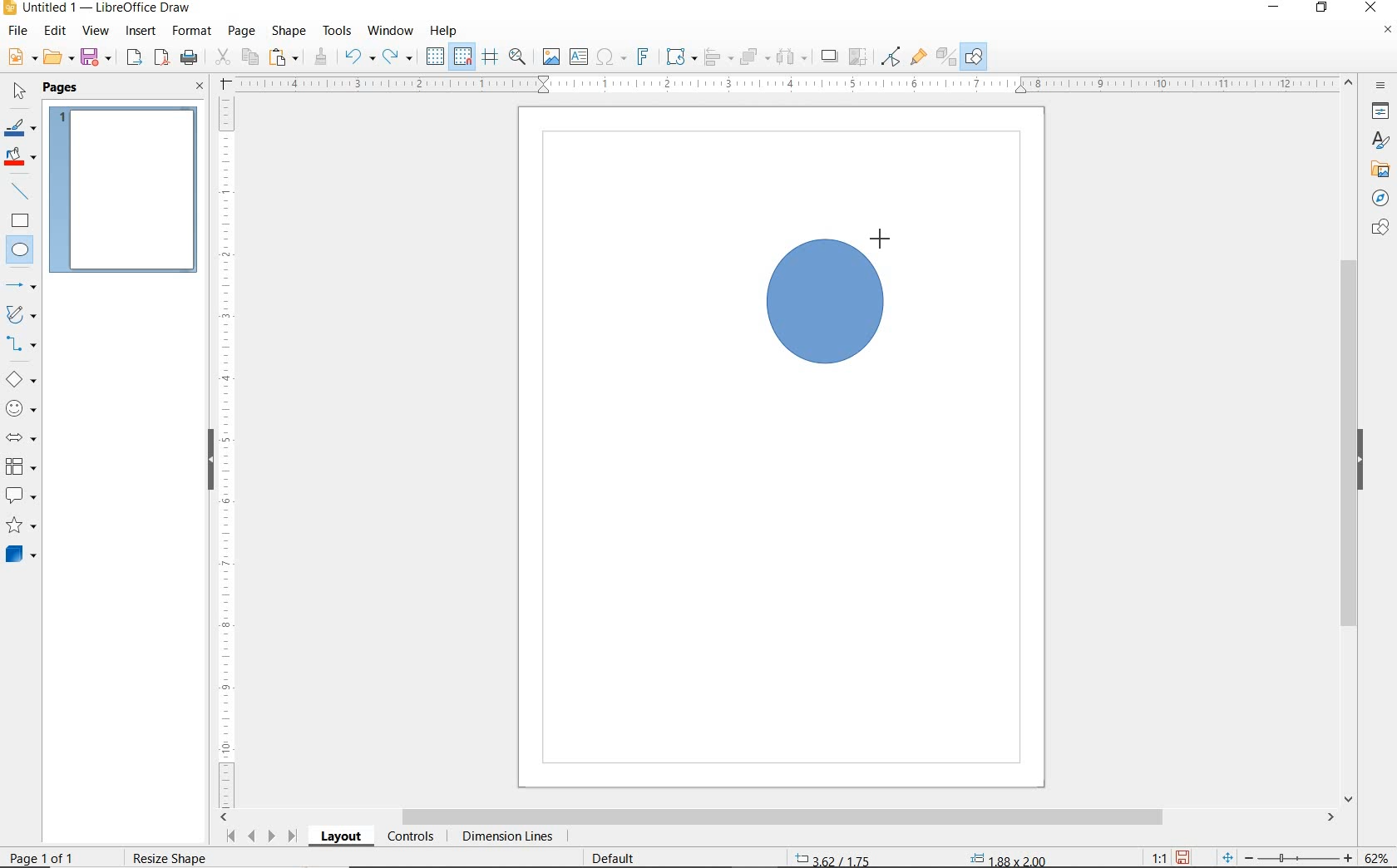  I want to click on ELLIPSE TOOL, so click(770, 368).